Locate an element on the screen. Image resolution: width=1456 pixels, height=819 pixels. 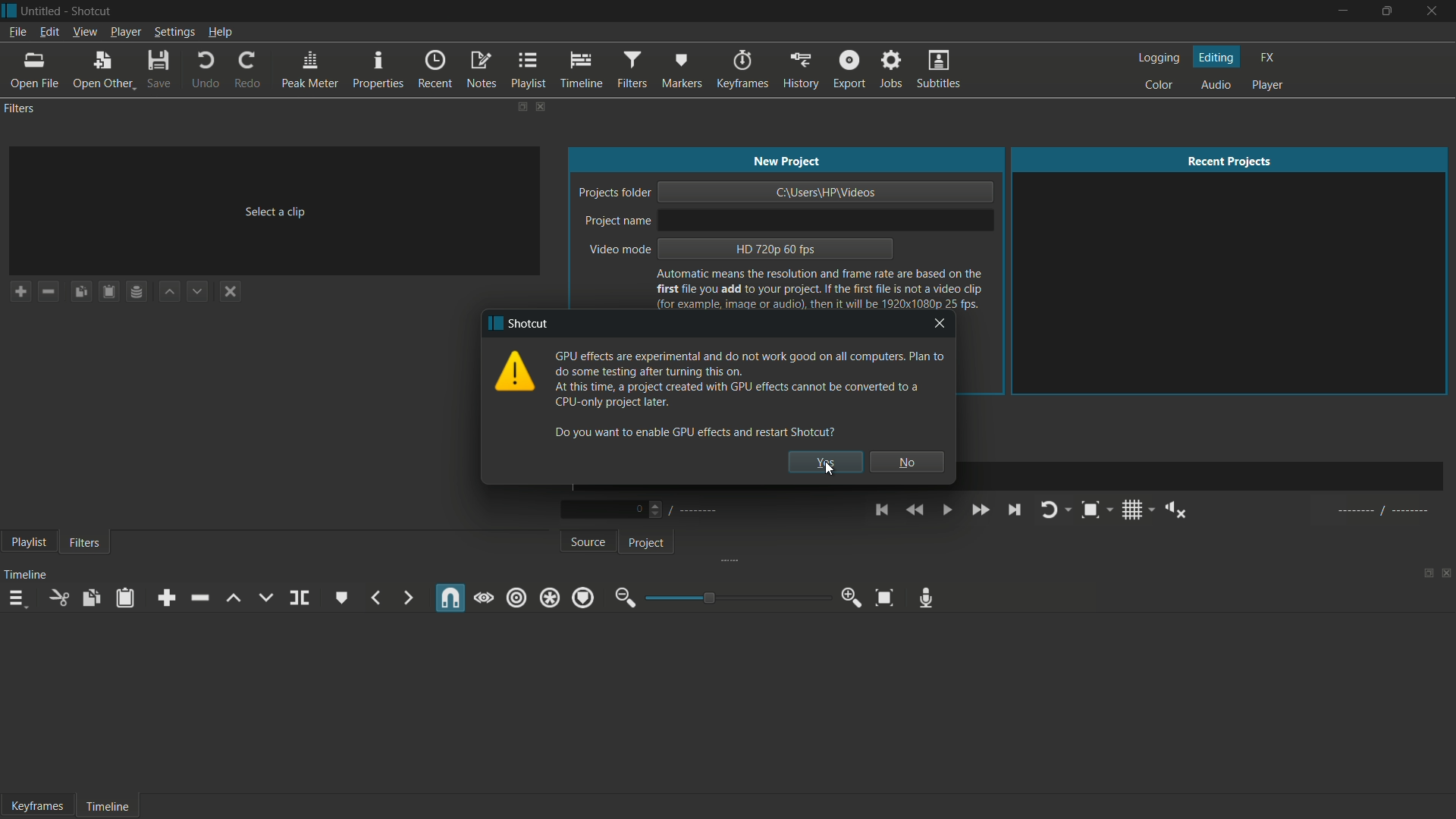
zoom out is located at coordinates (623, 598).